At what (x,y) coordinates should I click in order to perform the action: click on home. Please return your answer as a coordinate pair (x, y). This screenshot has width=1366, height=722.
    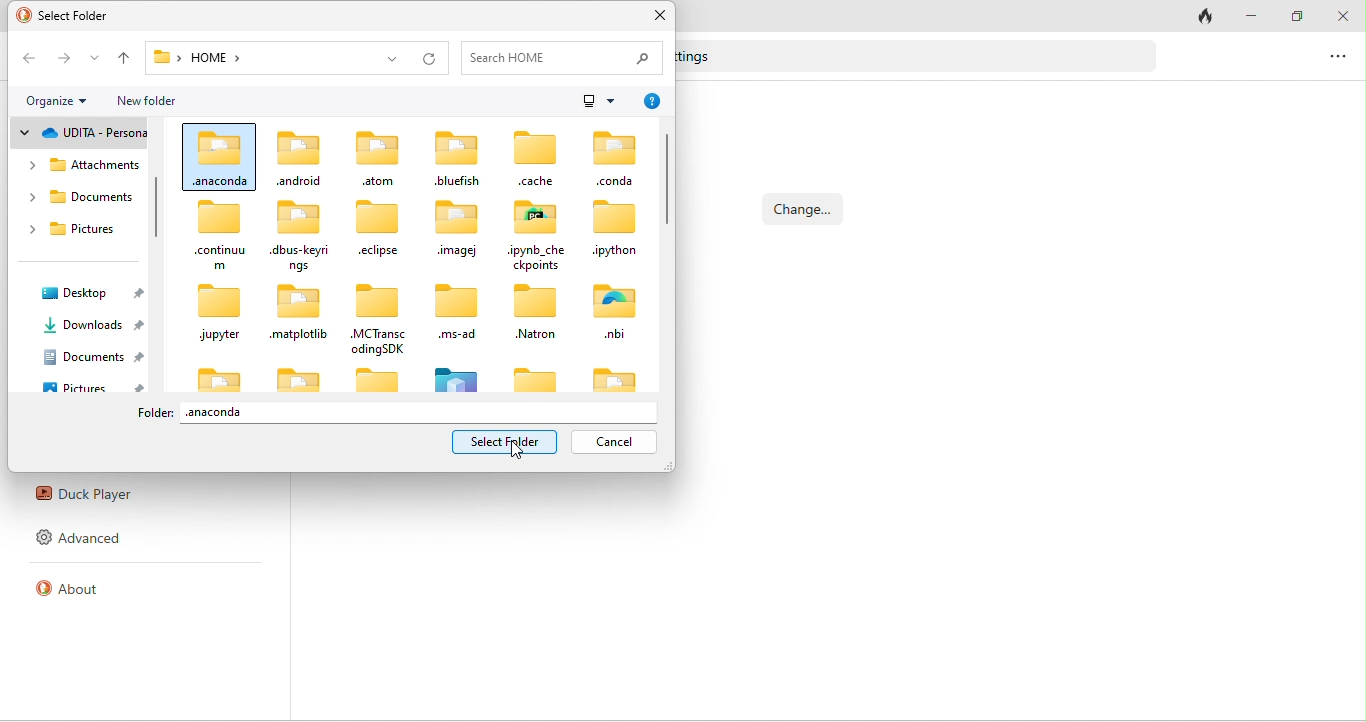
    Looking at the image, I should click on (219, 59).